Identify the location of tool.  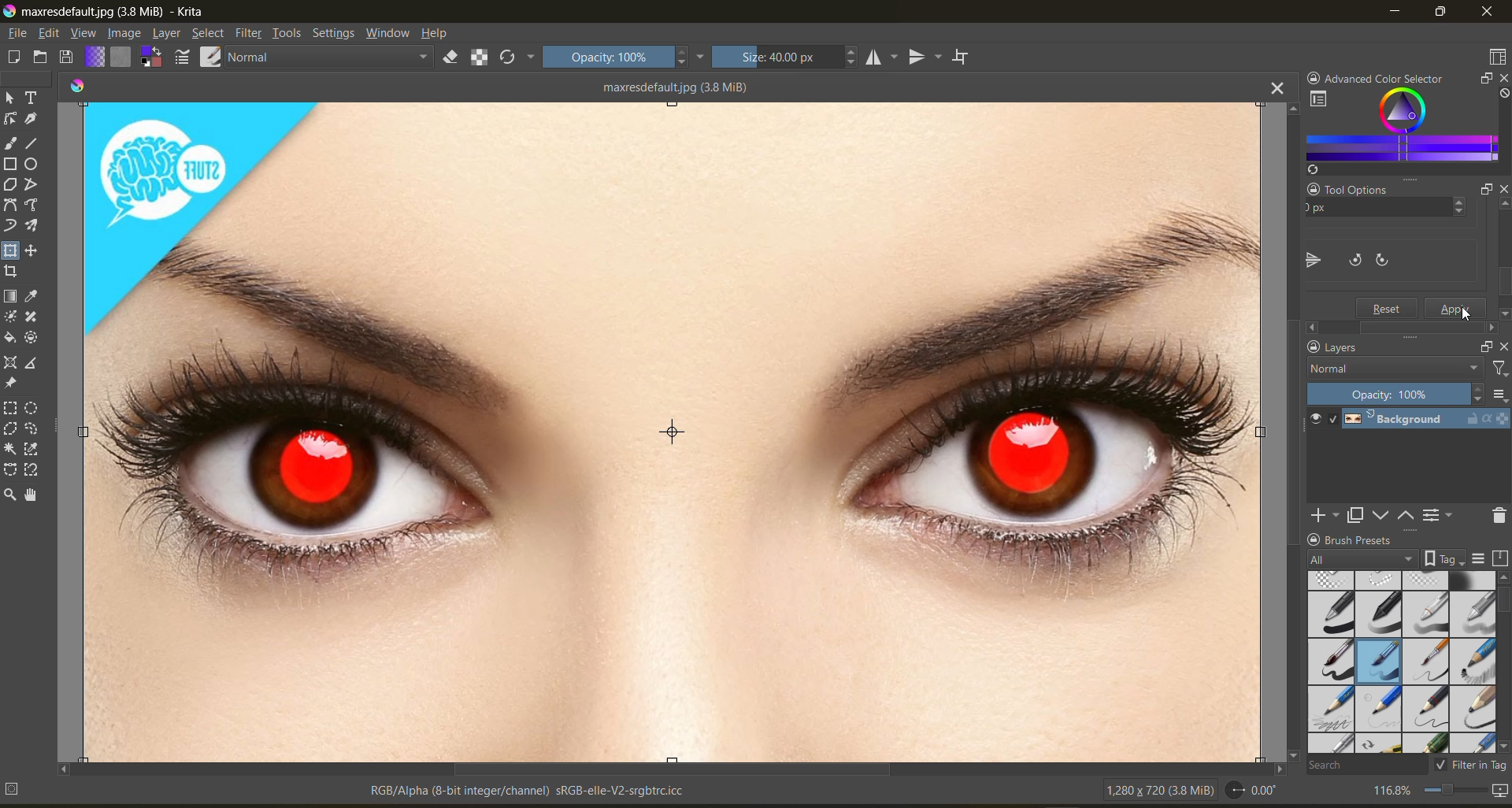
(9, 362).